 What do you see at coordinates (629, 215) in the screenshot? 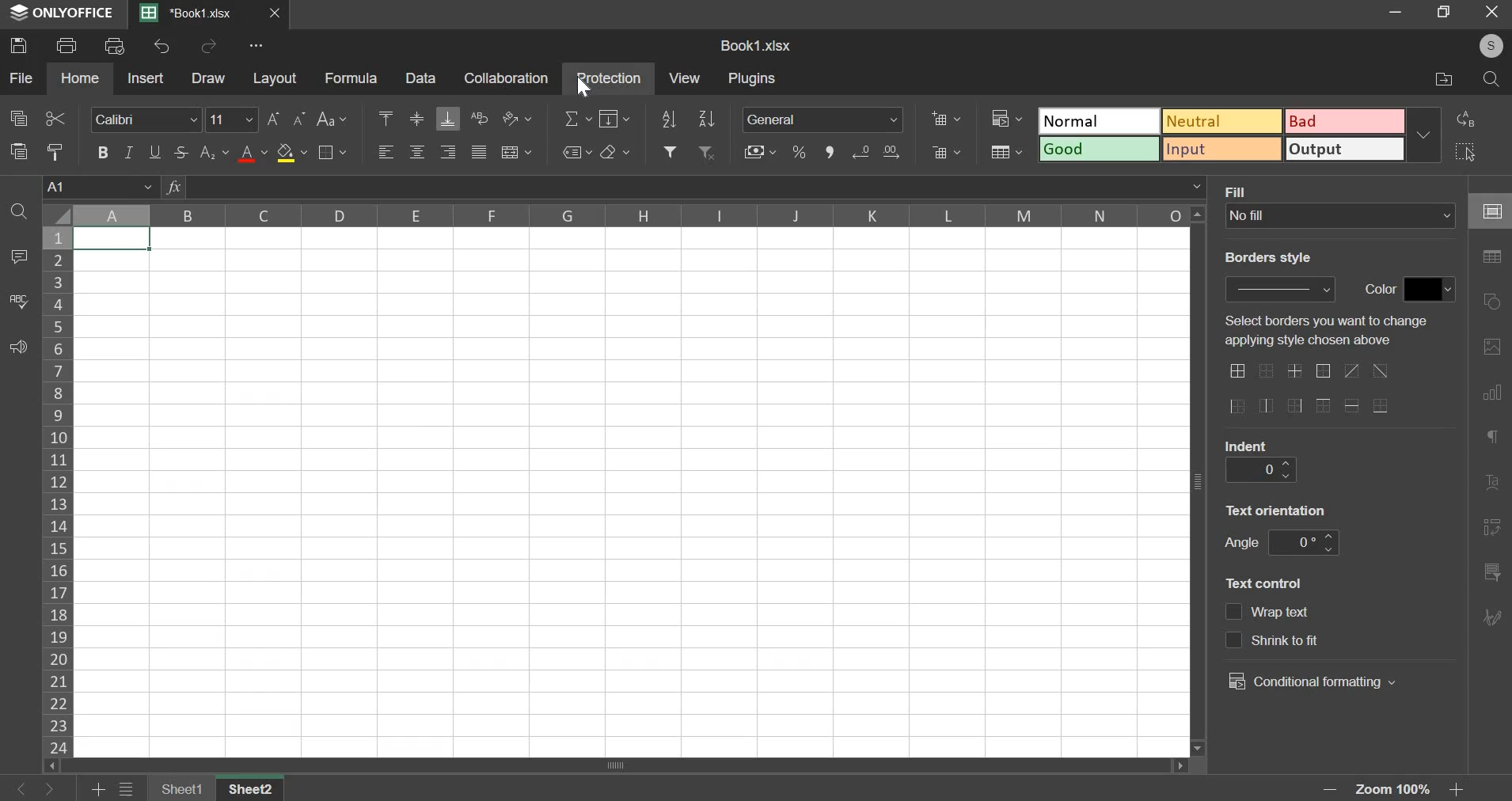
I see `column` at bounding box center [629, 215].